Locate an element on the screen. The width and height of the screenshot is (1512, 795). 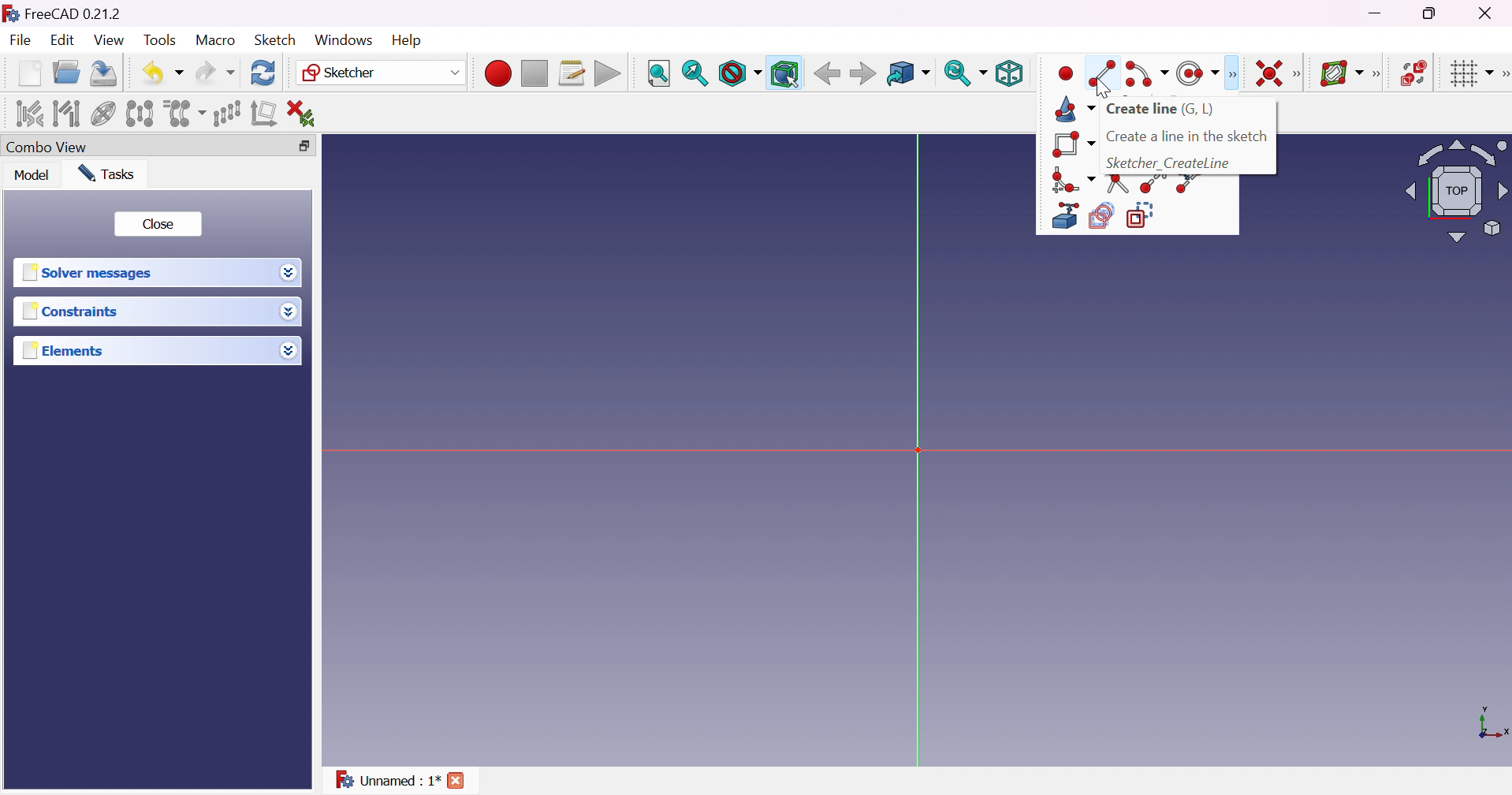
Combo view is located at coordinates (50, 147).